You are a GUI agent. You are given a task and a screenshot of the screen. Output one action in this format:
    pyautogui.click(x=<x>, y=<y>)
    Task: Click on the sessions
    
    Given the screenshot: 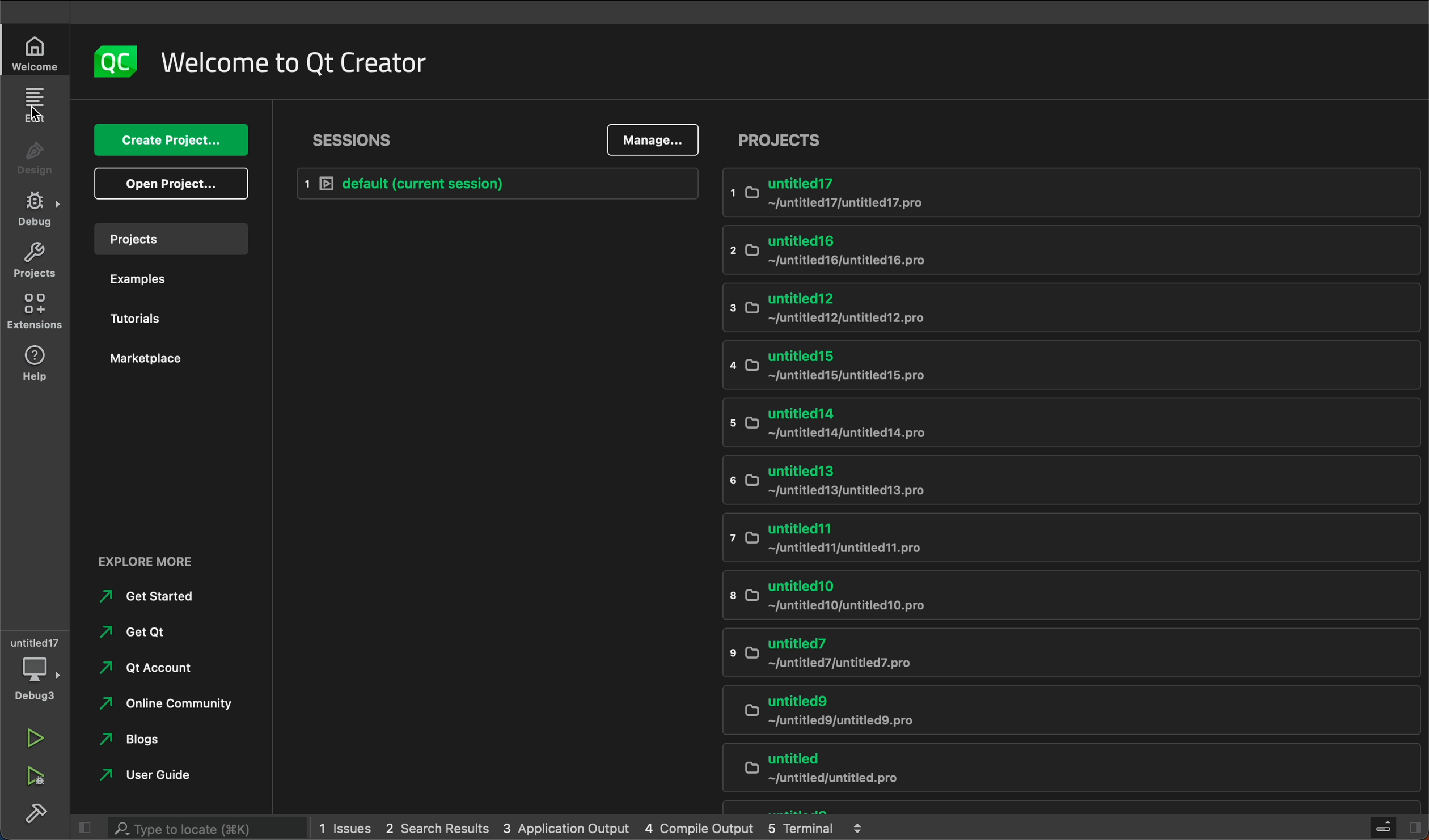 What is the action you would take?
    pyautogui.click(x=354, y=141)
    